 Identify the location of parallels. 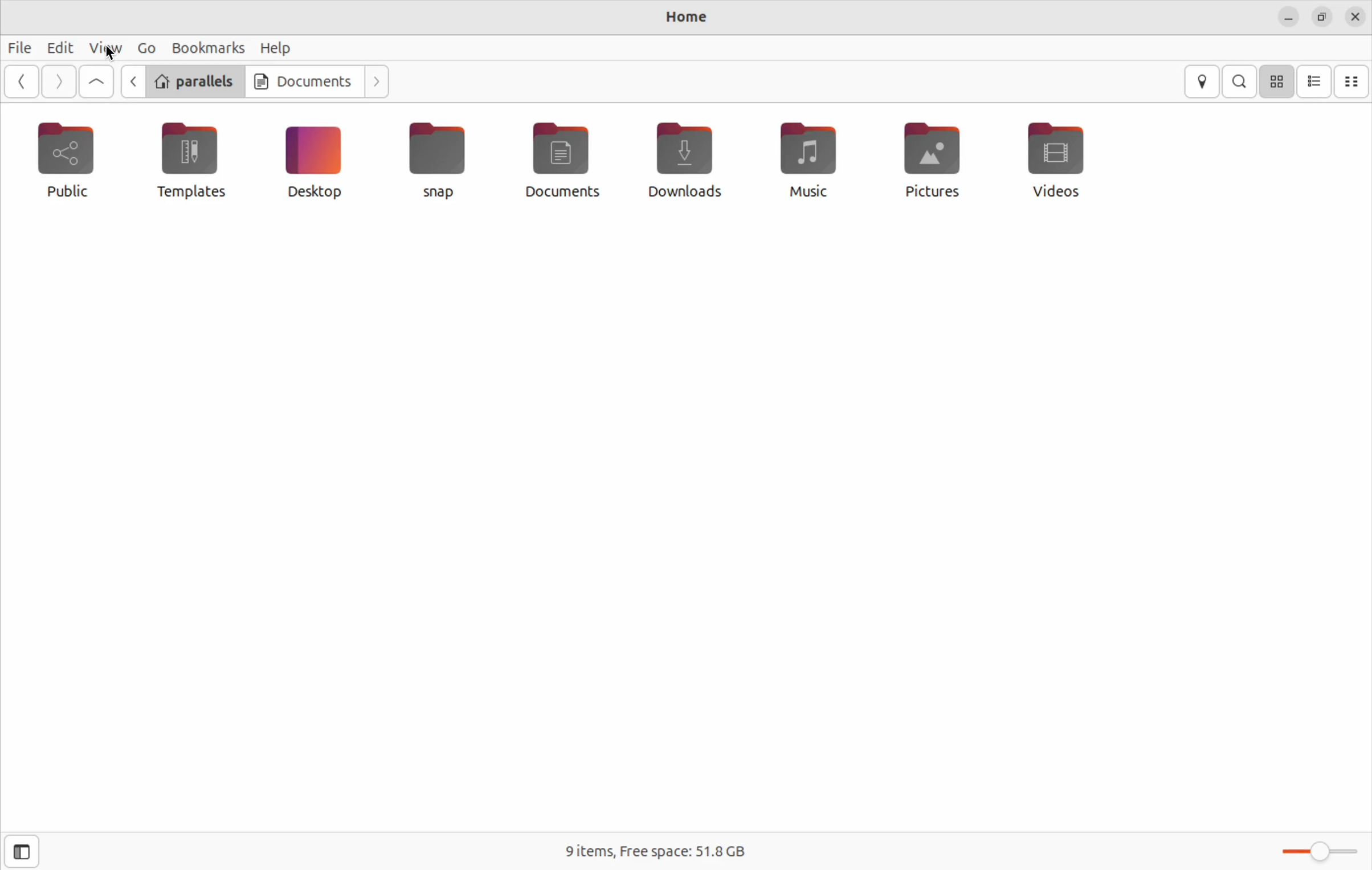
(195, 82).